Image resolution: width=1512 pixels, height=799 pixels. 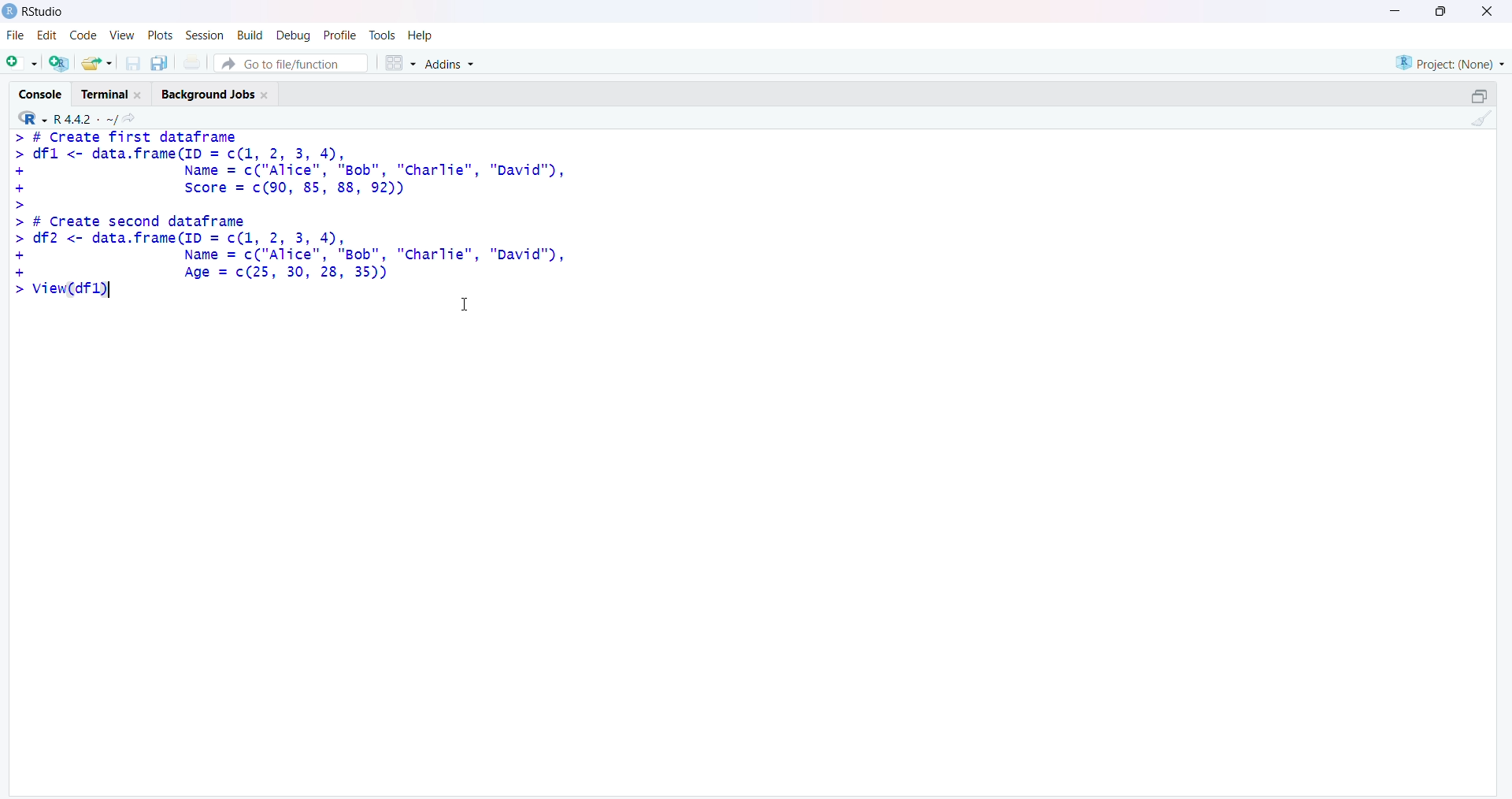 I want to click on plots, so click(x=162, y=36).